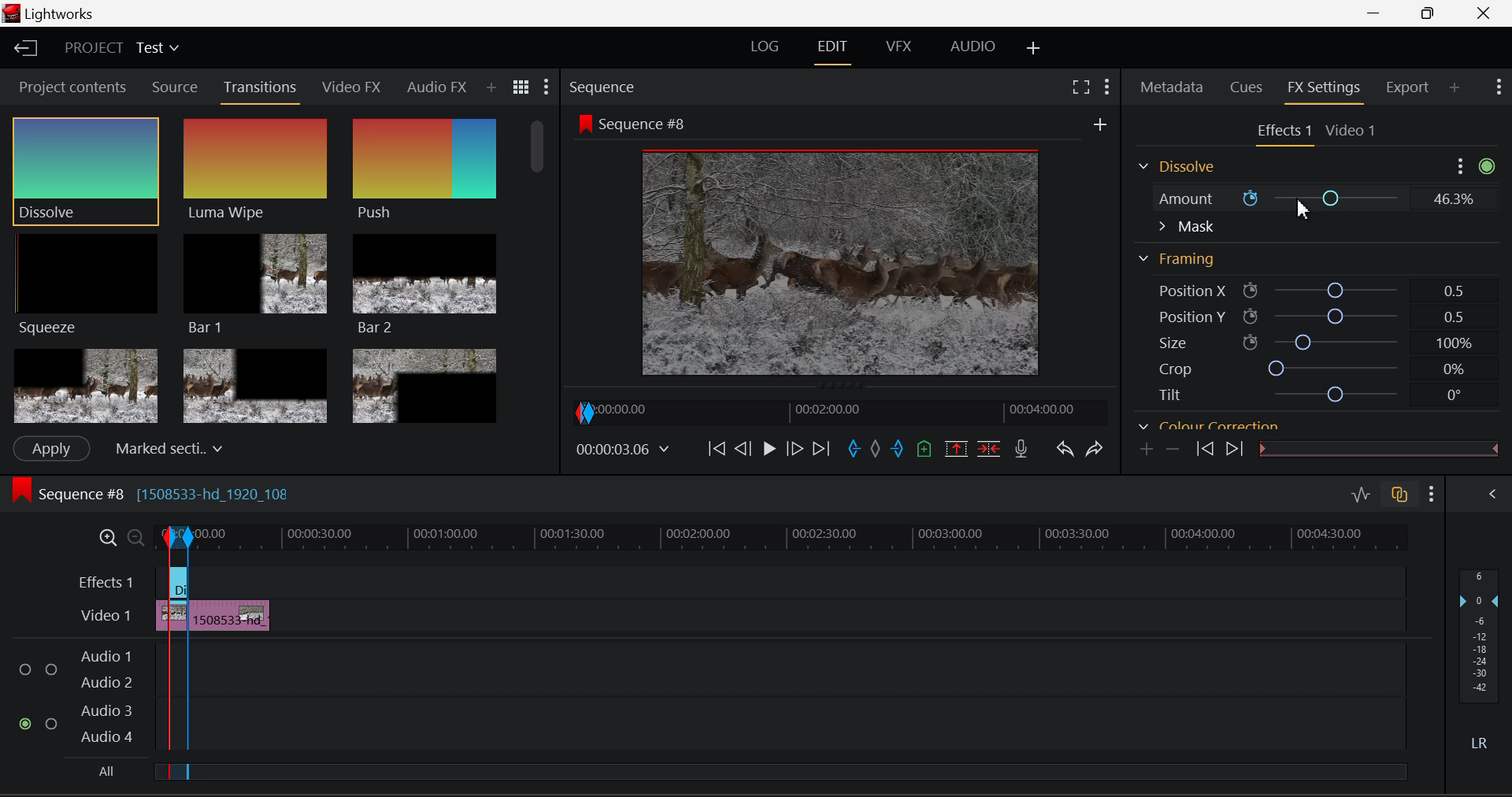 This screenshot has height=797, width=1512. Describe the element at coordinates (547, 86) in the screenshot. I see `Show Settings` at that location.